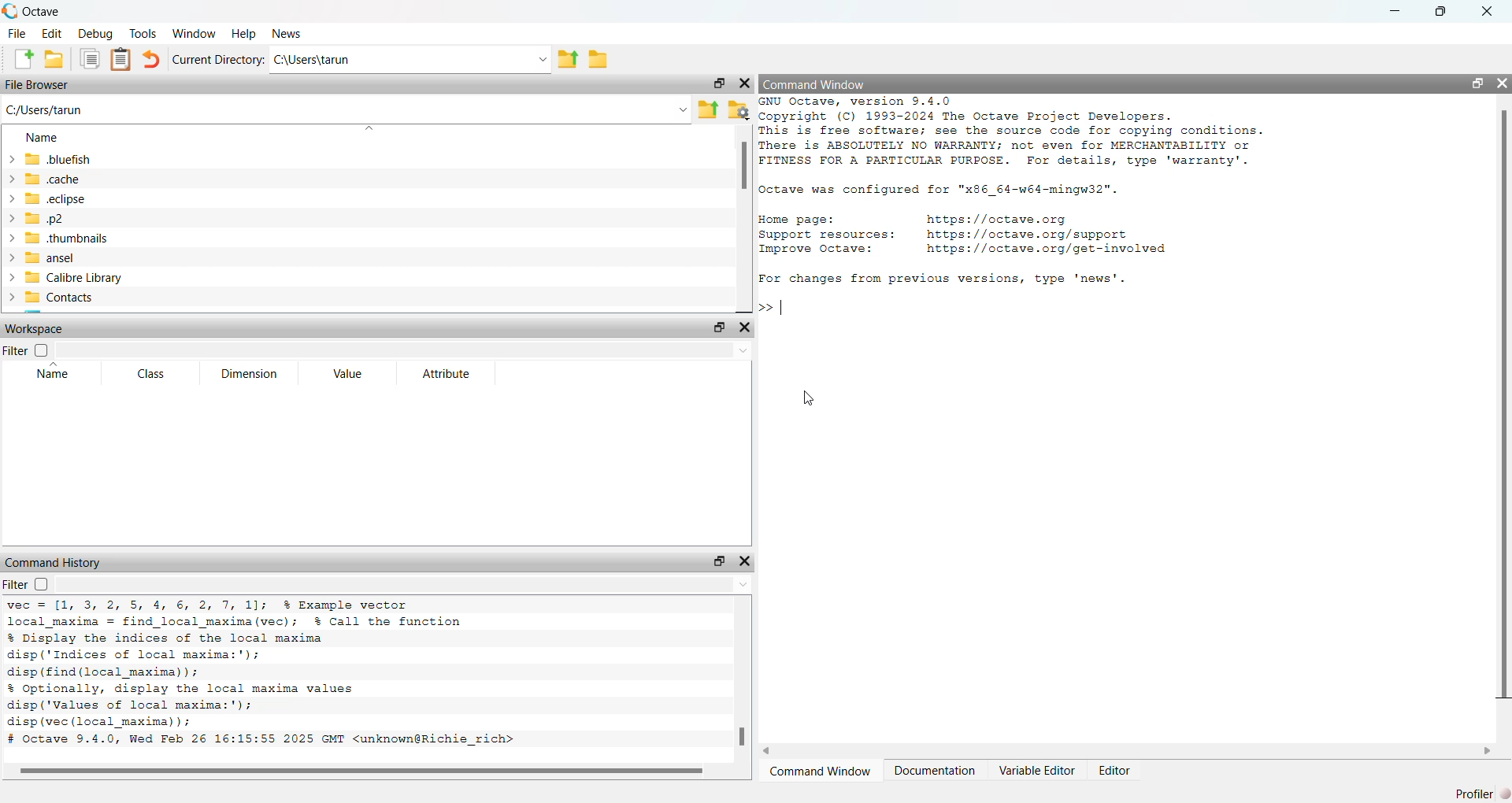 Image resolution: width=1512 pixels, height=803 pixels. I want to click on Value, so click(347, 373).